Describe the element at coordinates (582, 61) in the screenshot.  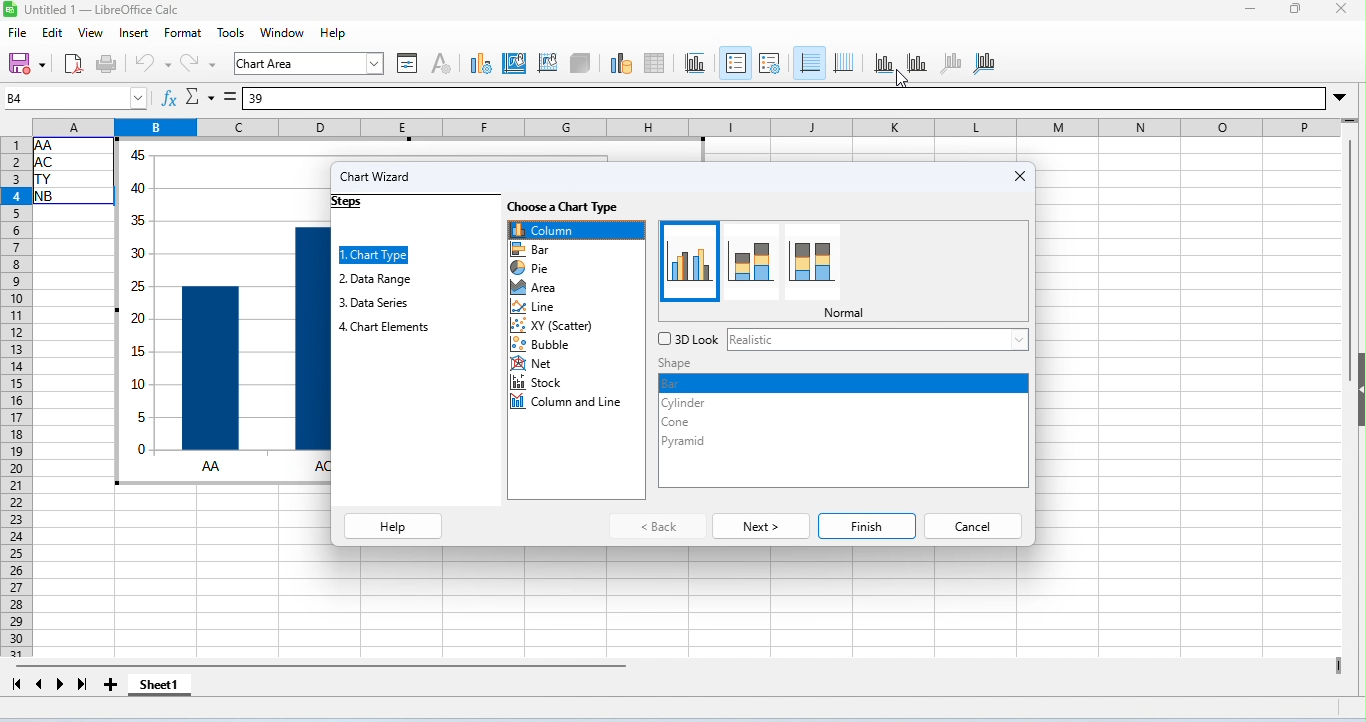
I see `3D` at that location.